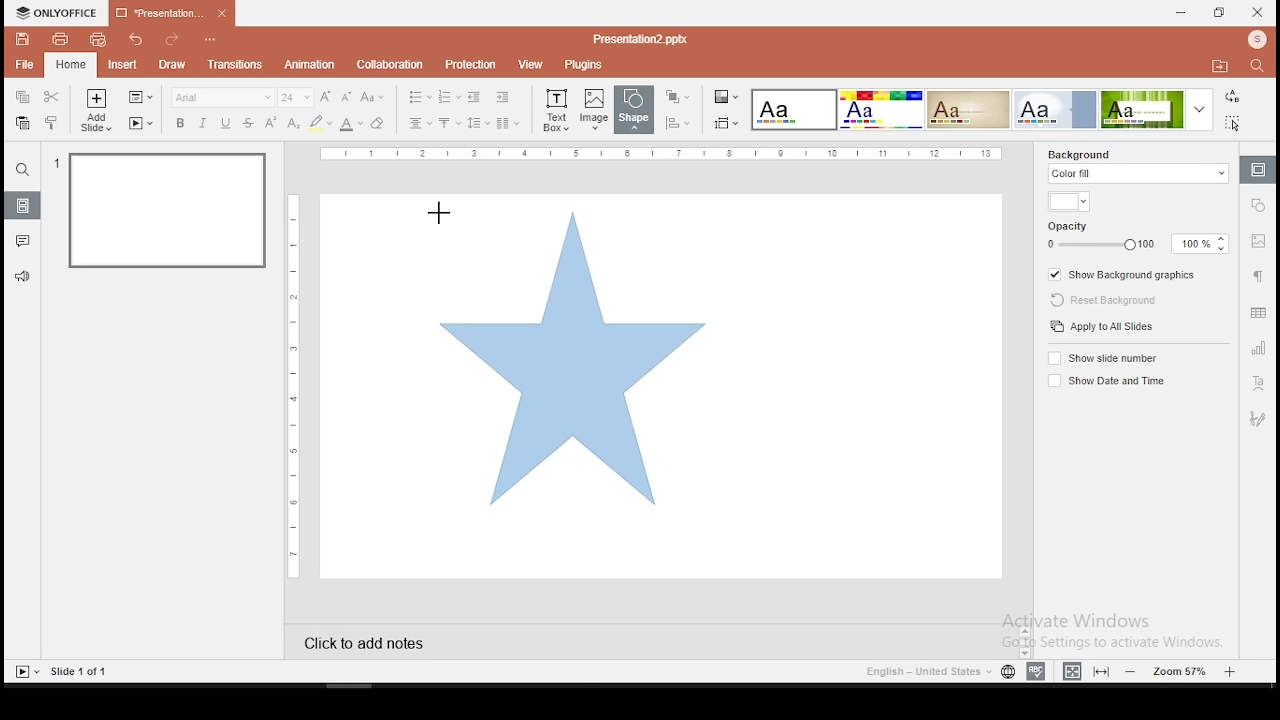  Describe the element at coordinates (503, 96) in the screenshot. I see `increase indent` at that location.